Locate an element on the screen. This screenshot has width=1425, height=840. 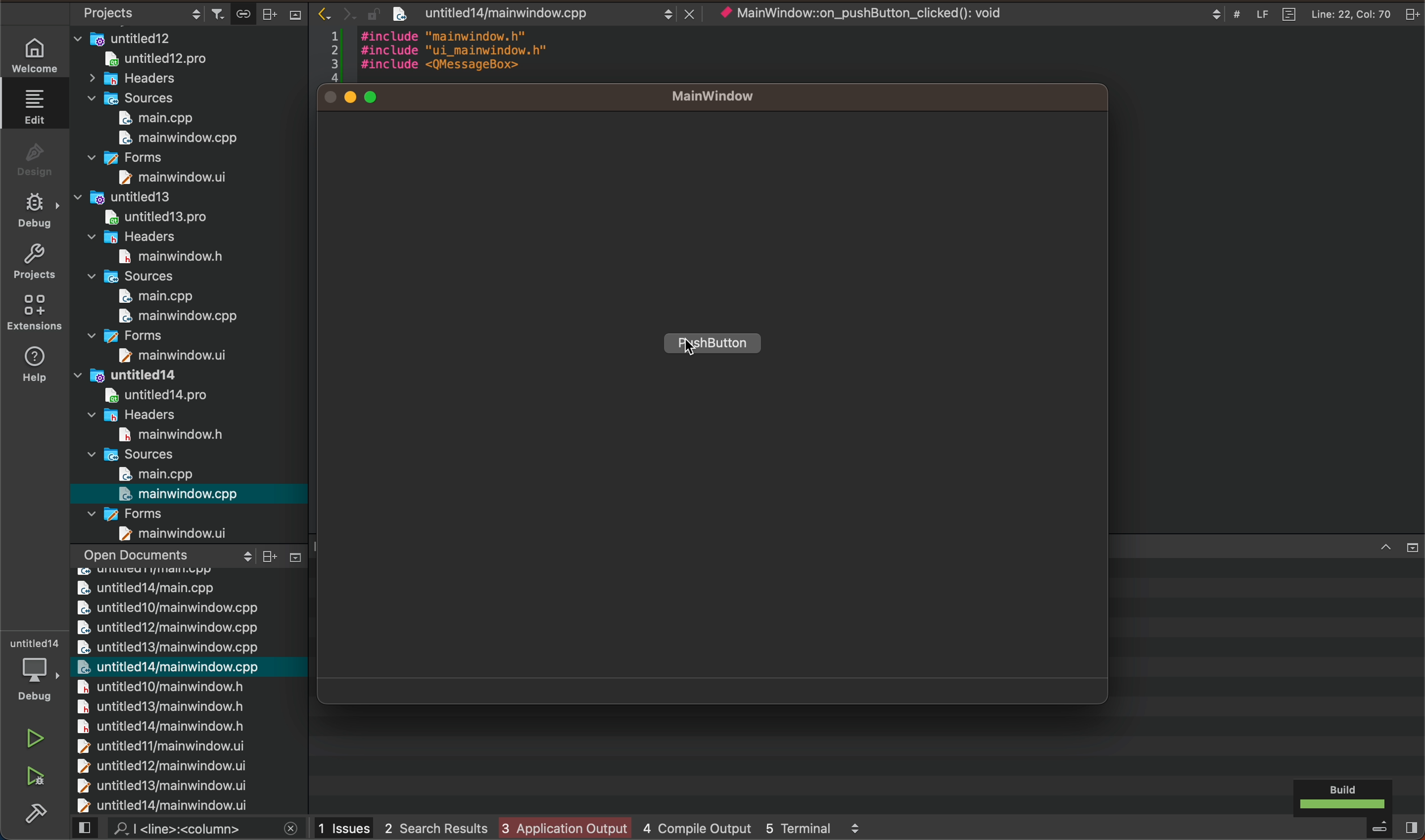
EDIT is located at coordinates (38, 106).